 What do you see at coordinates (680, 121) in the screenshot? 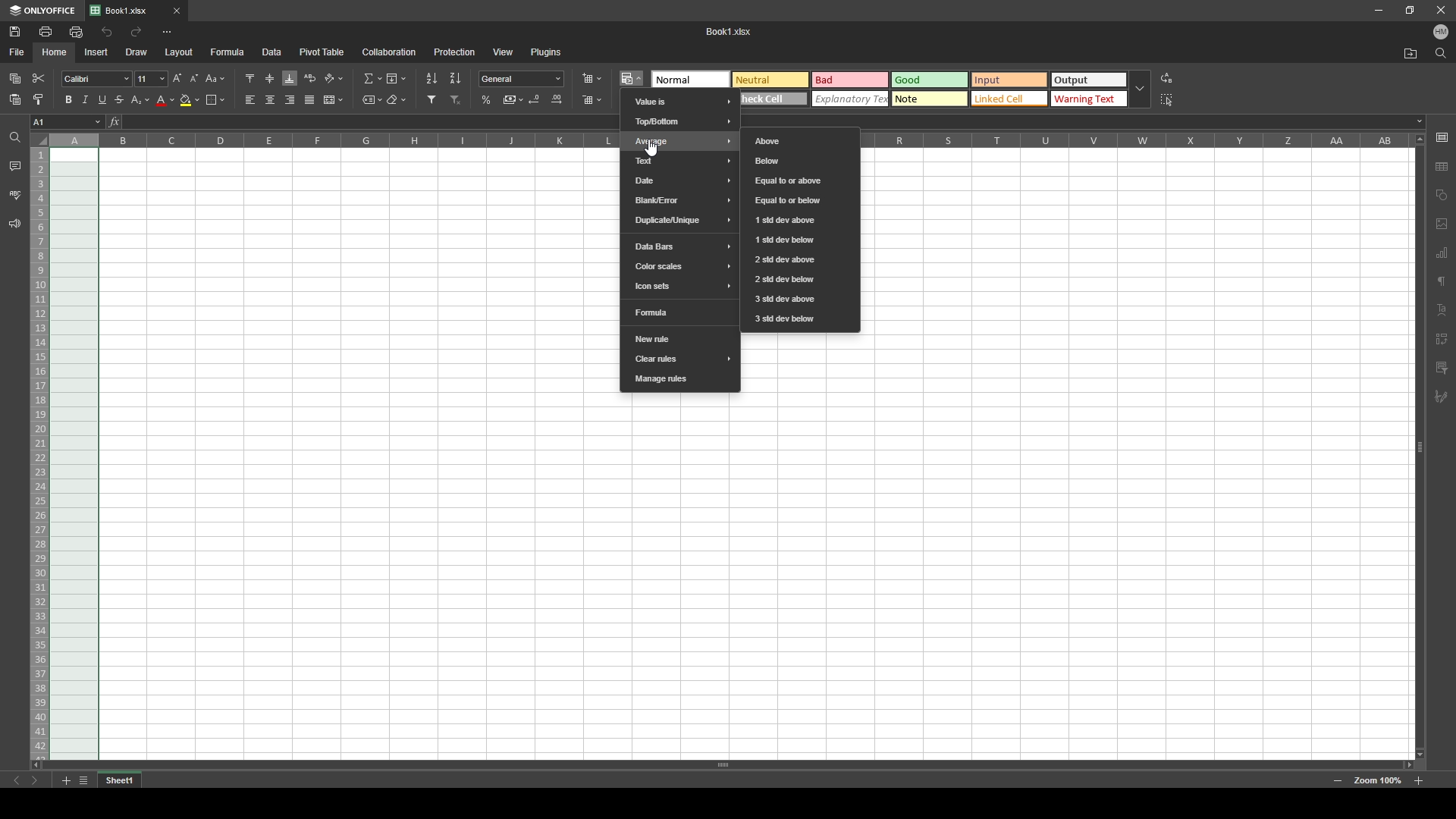
I see `top/bottom` at bounding box center [680, 121].